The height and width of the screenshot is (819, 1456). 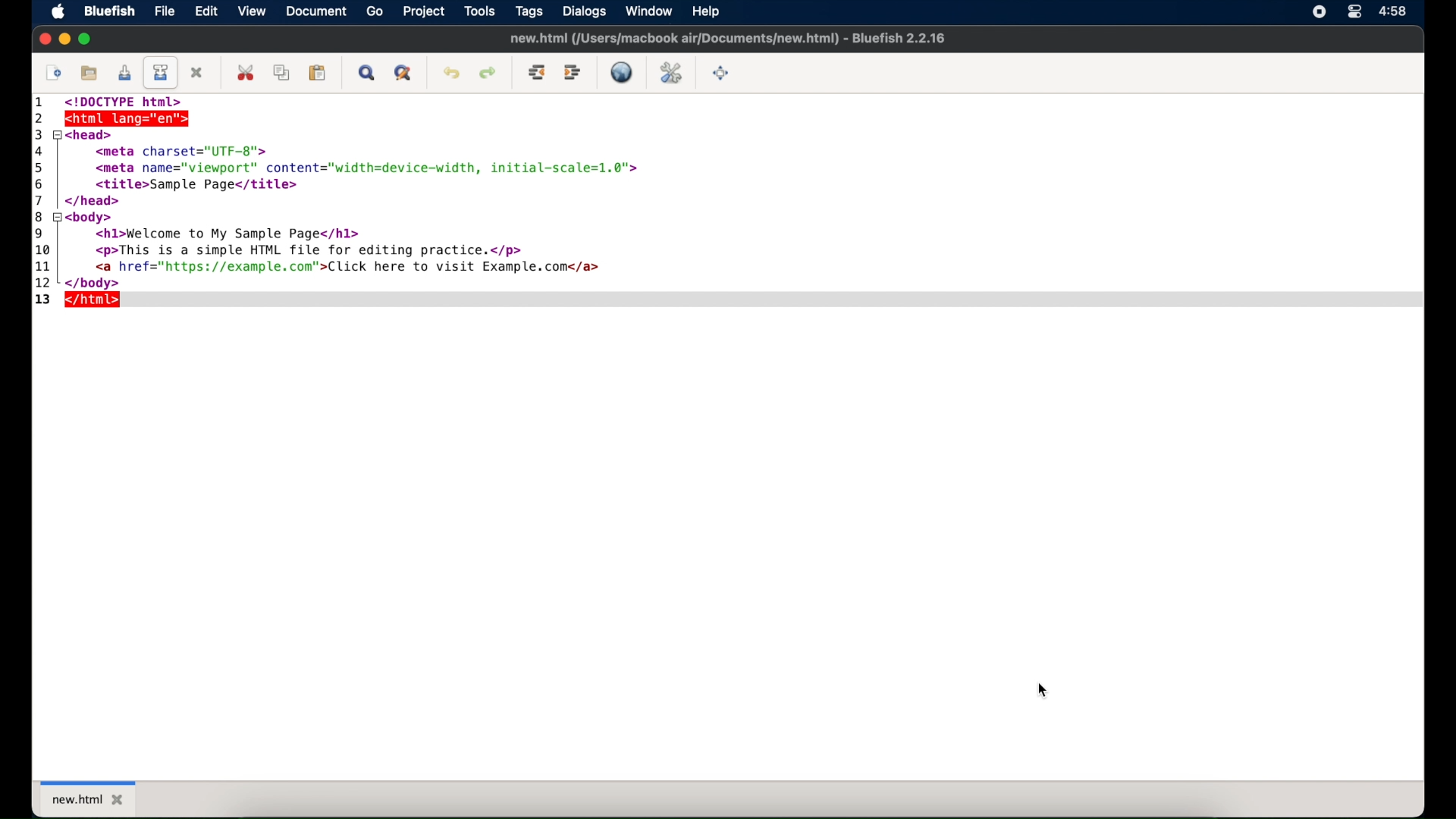 I want to click on <html lang="en>", so click(x=159, y=119).